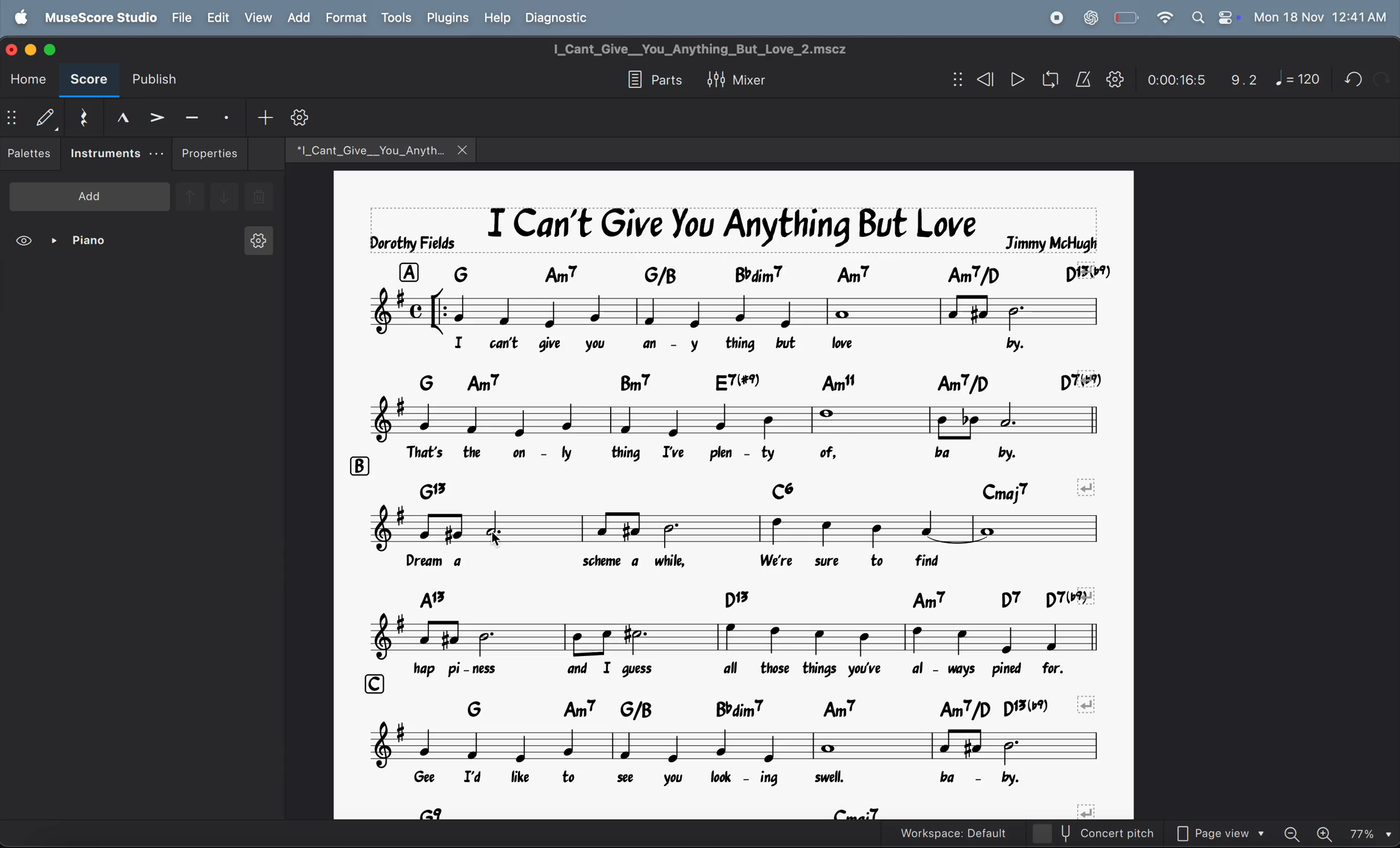 This screenshot has height=848, width=1400. Describe the element at coordinates (113, 153) in the screenshot. I see `instruments` at that location.